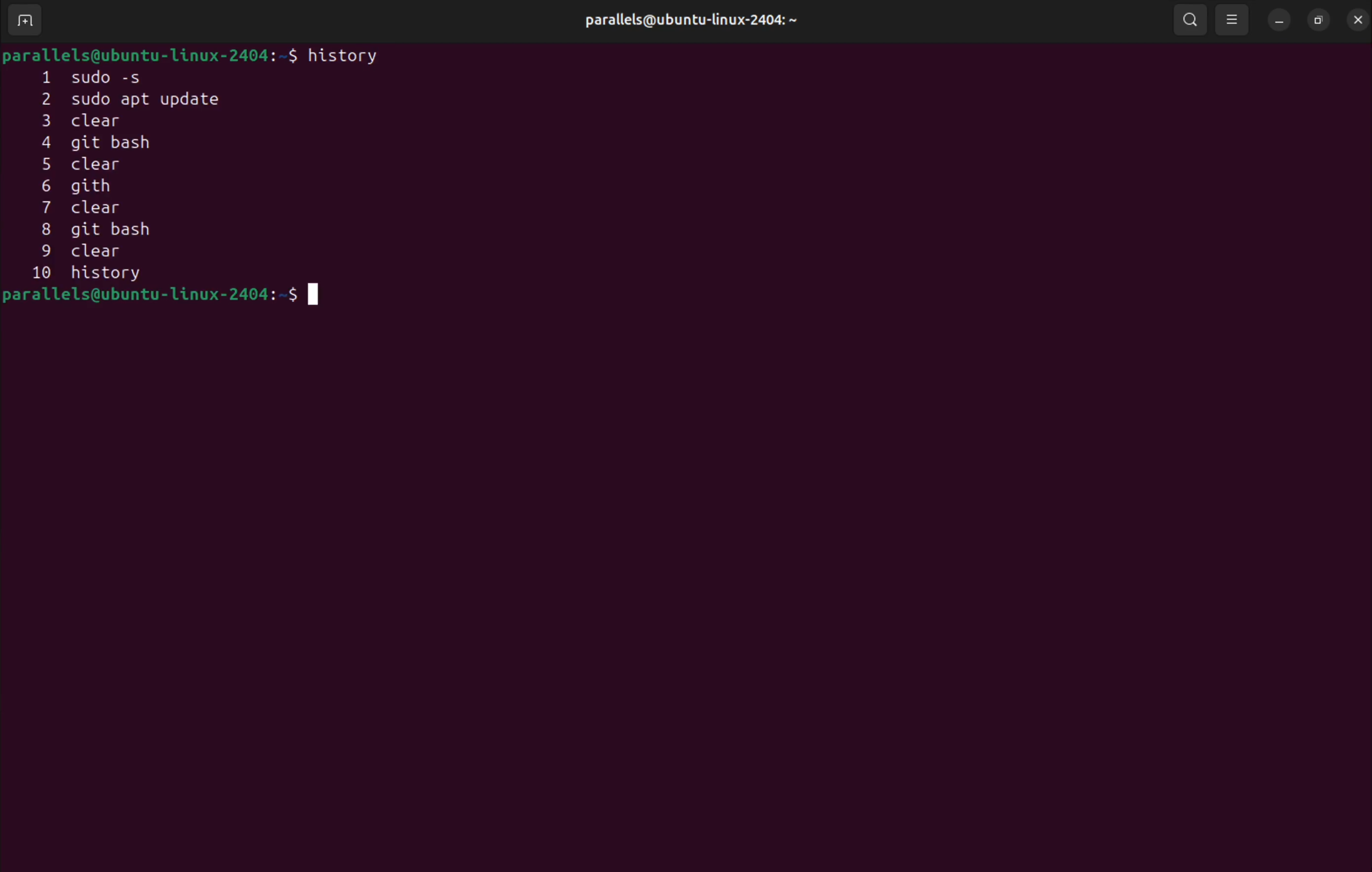 This screenshot has width=1372, height=872. What do you see at coordinates (1234, 19) in the screenshot?
I see `view options` at bounding box center [1234, 19].